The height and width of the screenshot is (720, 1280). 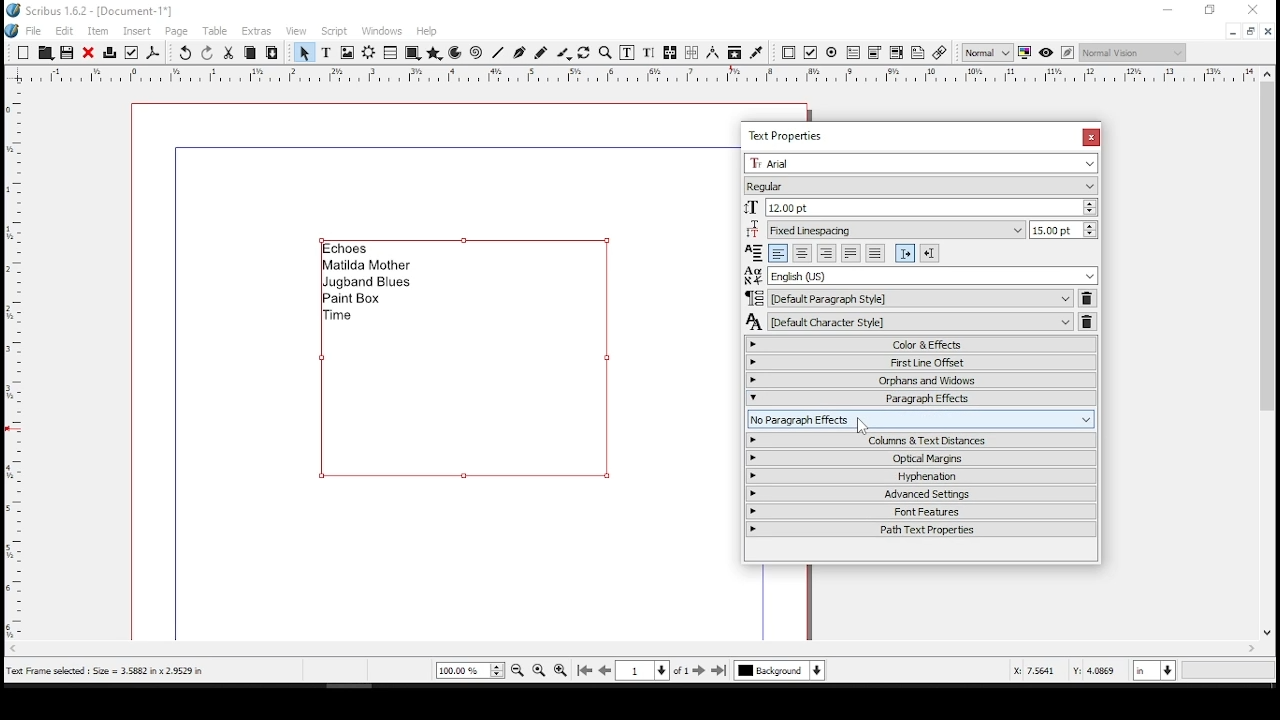 I want to click on jugband blues, so click(x=369, y=284).